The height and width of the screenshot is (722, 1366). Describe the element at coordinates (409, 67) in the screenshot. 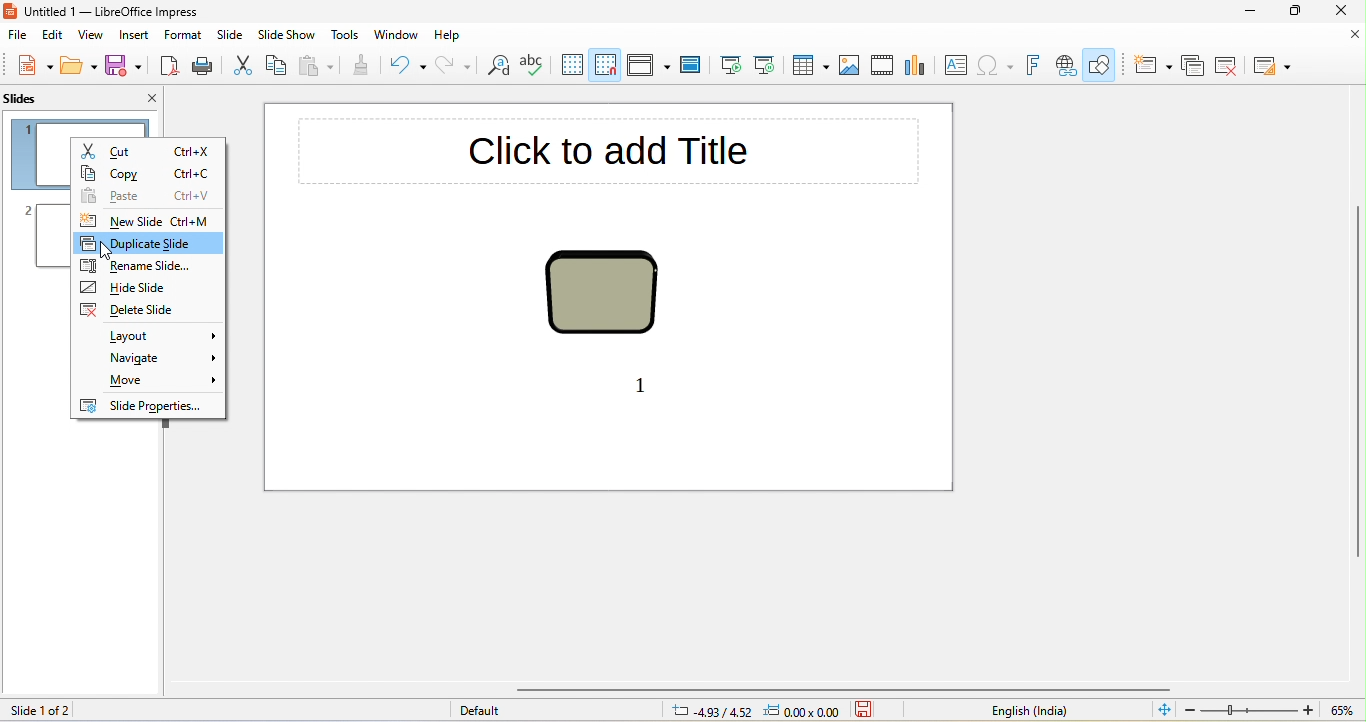

I see `undo` at that location.